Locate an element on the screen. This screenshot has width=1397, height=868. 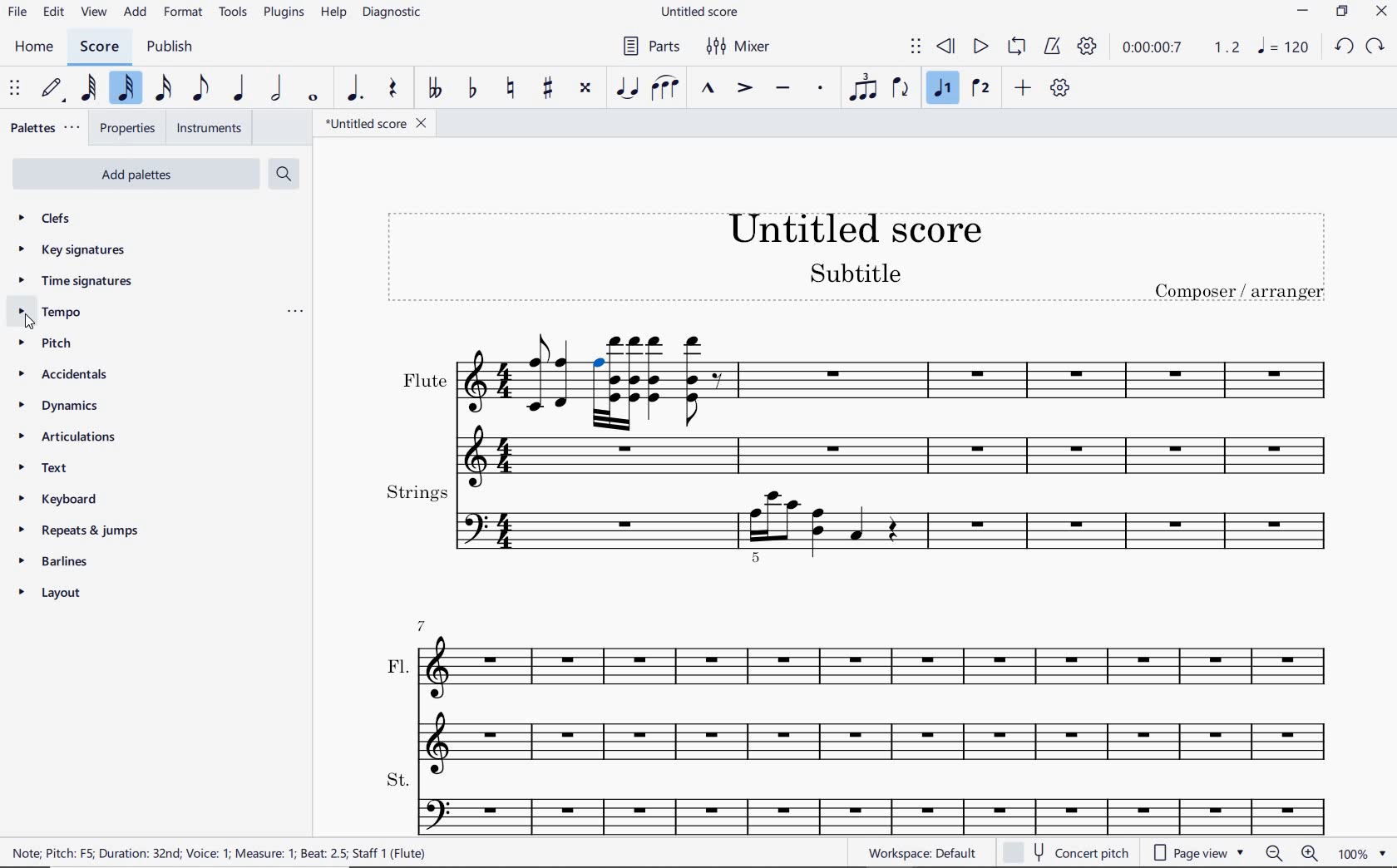
flute is located at coordinates (991, 399).